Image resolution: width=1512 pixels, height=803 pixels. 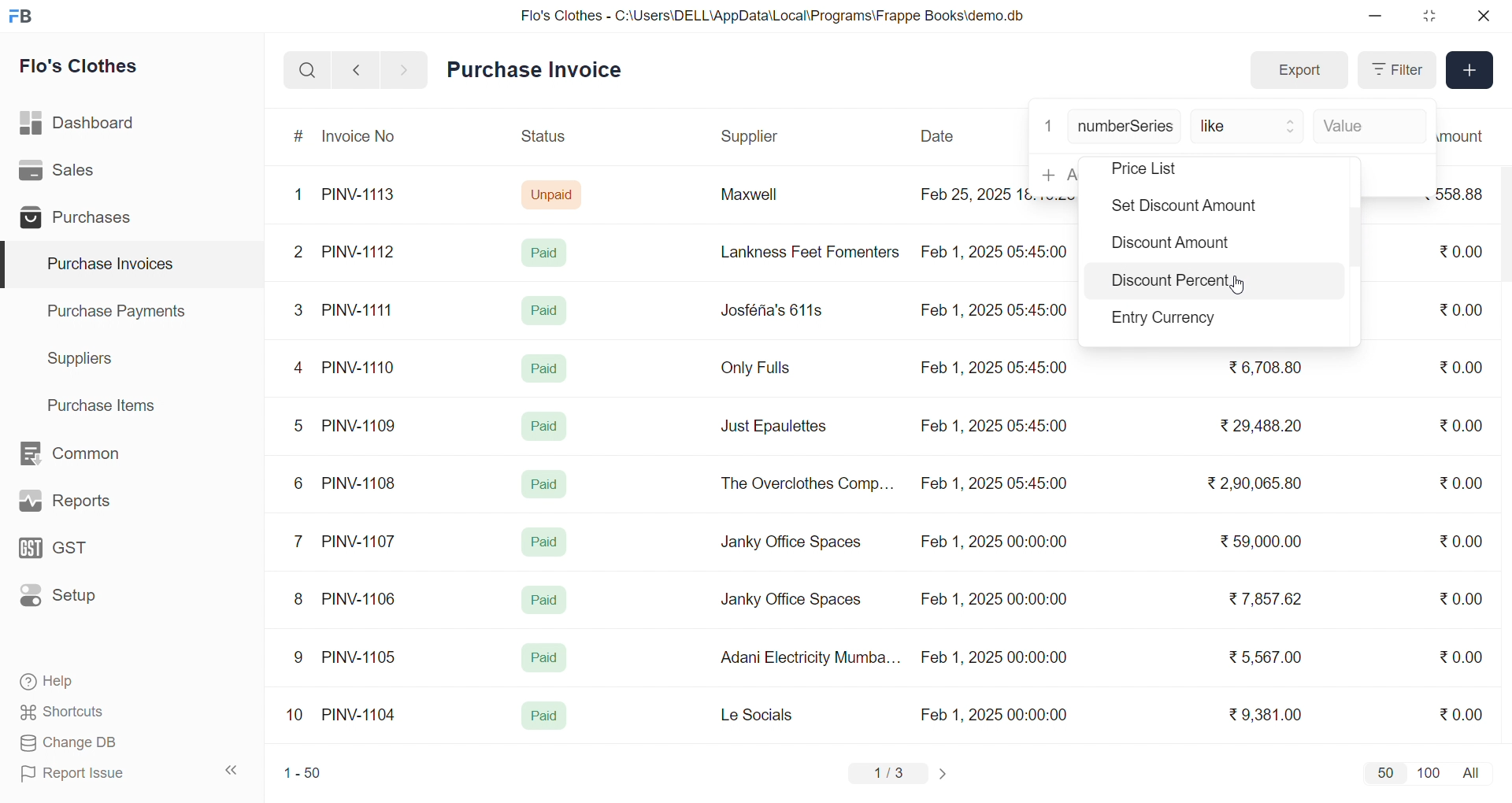 What do you see at coordinates (82, 126) in the screenshot?
I see `Dashboard` at bounding box center [82, 126].